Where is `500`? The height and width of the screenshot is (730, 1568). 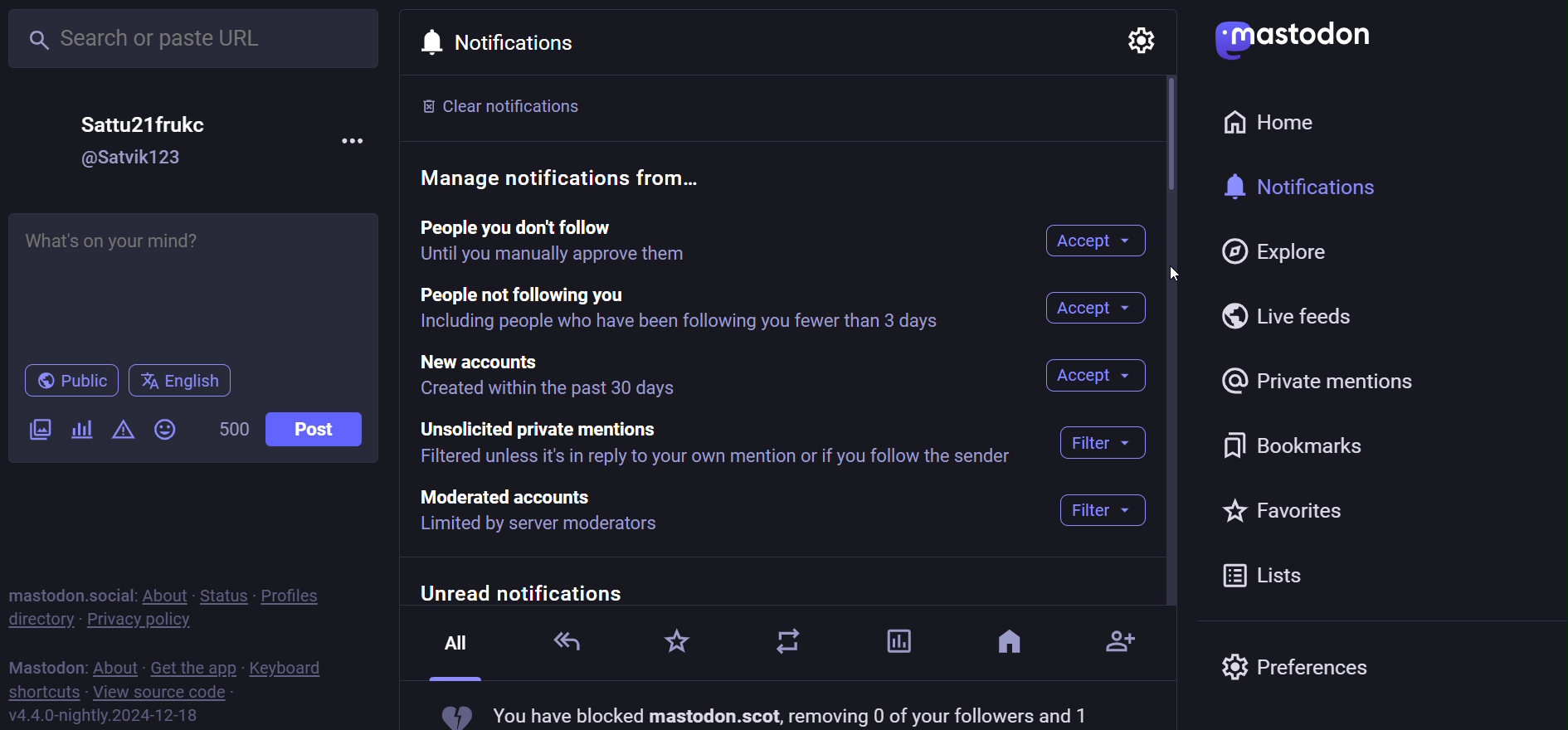
500 is located at coordinates (232, 434).